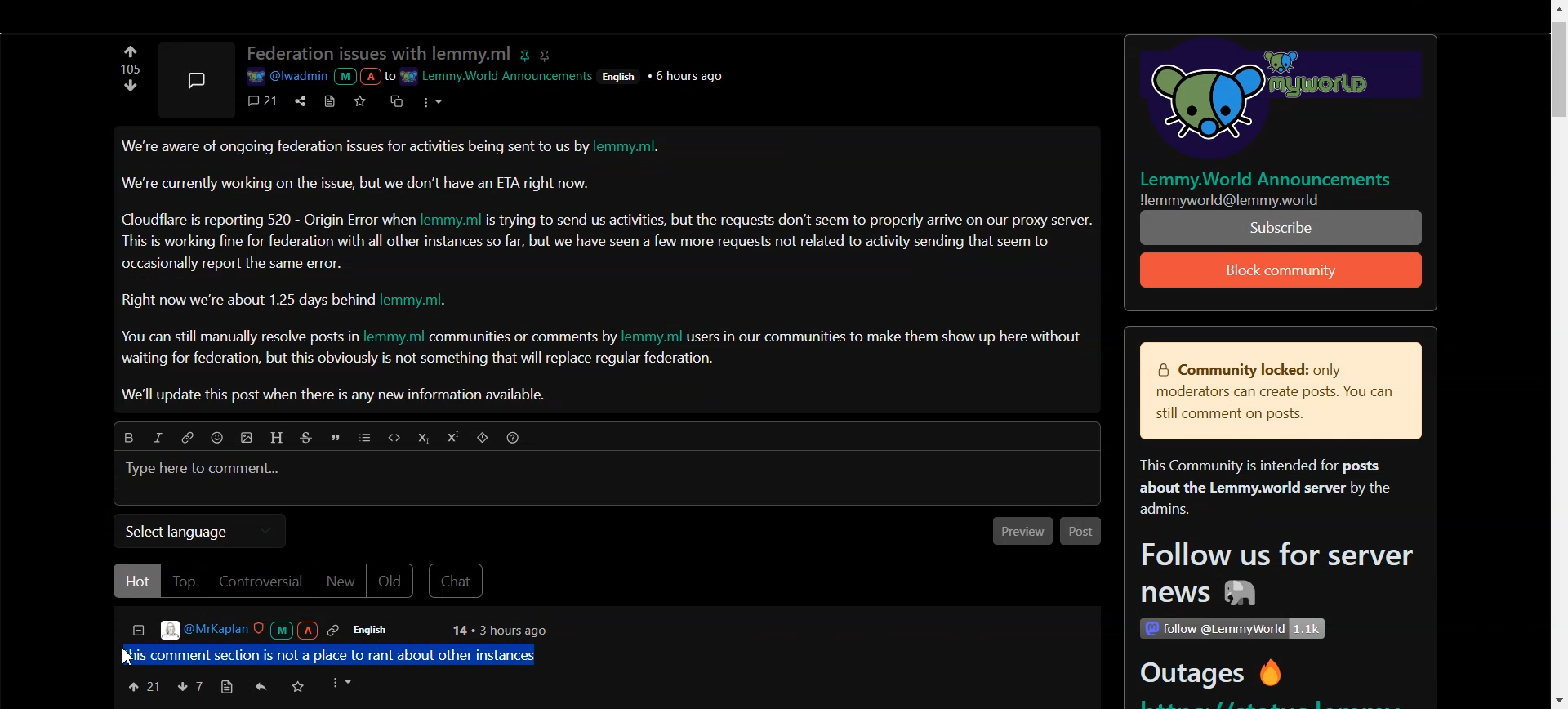 The width and height of the screenshot is (1568, 709). I want to click on share, so click(298, 100).